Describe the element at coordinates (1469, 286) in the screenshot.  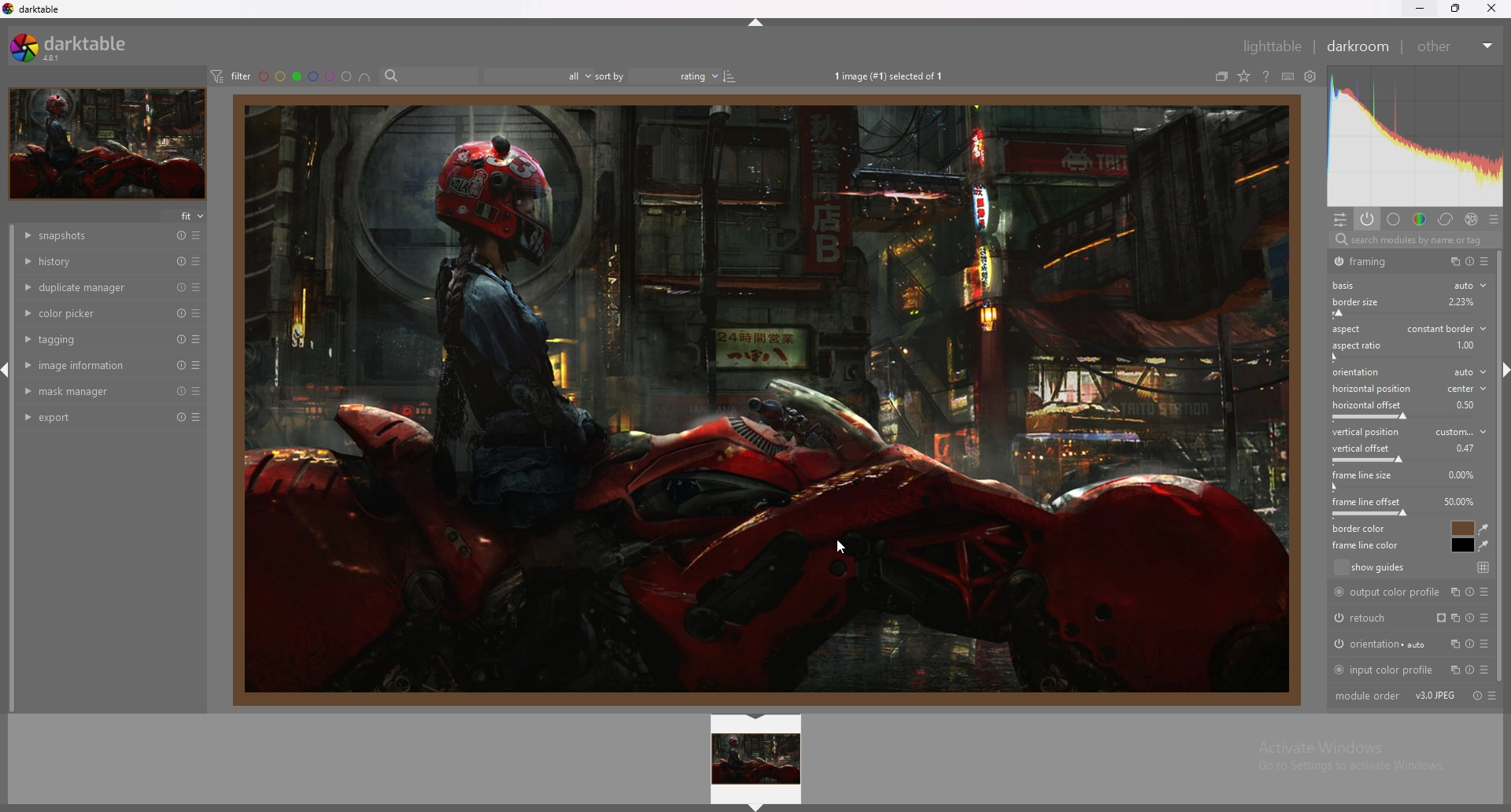
I see `auto` at that location.